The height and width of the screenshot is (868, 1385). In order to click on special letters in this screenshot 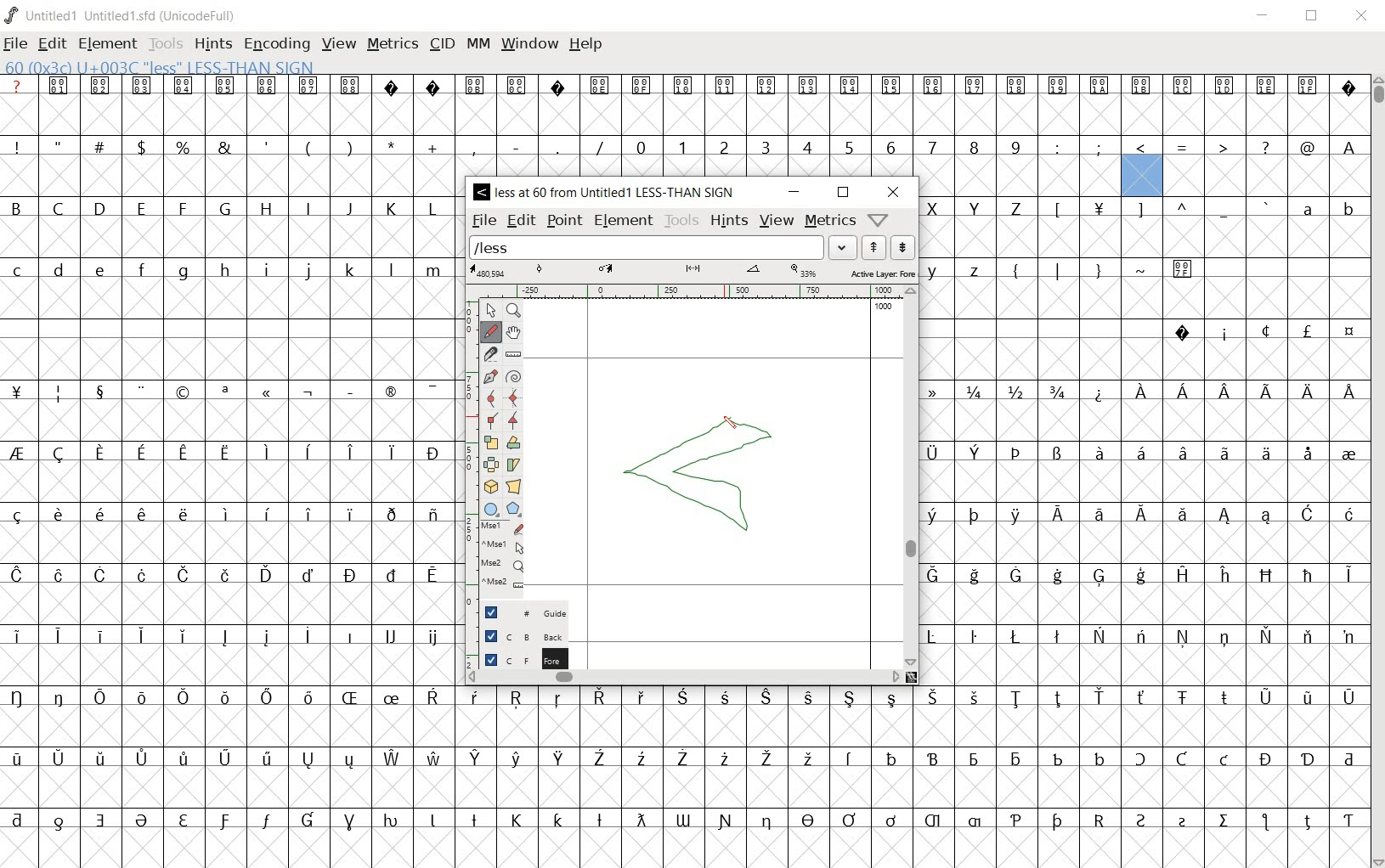, I will do `click(689, 757)`.